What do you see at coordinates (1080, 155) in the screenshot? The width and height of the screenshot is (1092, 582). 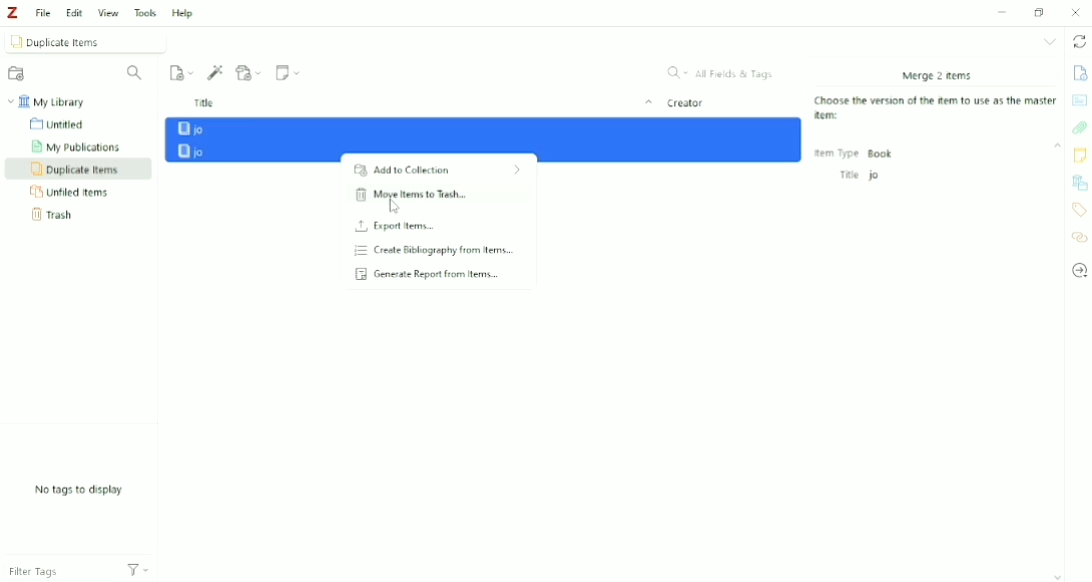 I see `Notes` at bounding box center [1080, 155].